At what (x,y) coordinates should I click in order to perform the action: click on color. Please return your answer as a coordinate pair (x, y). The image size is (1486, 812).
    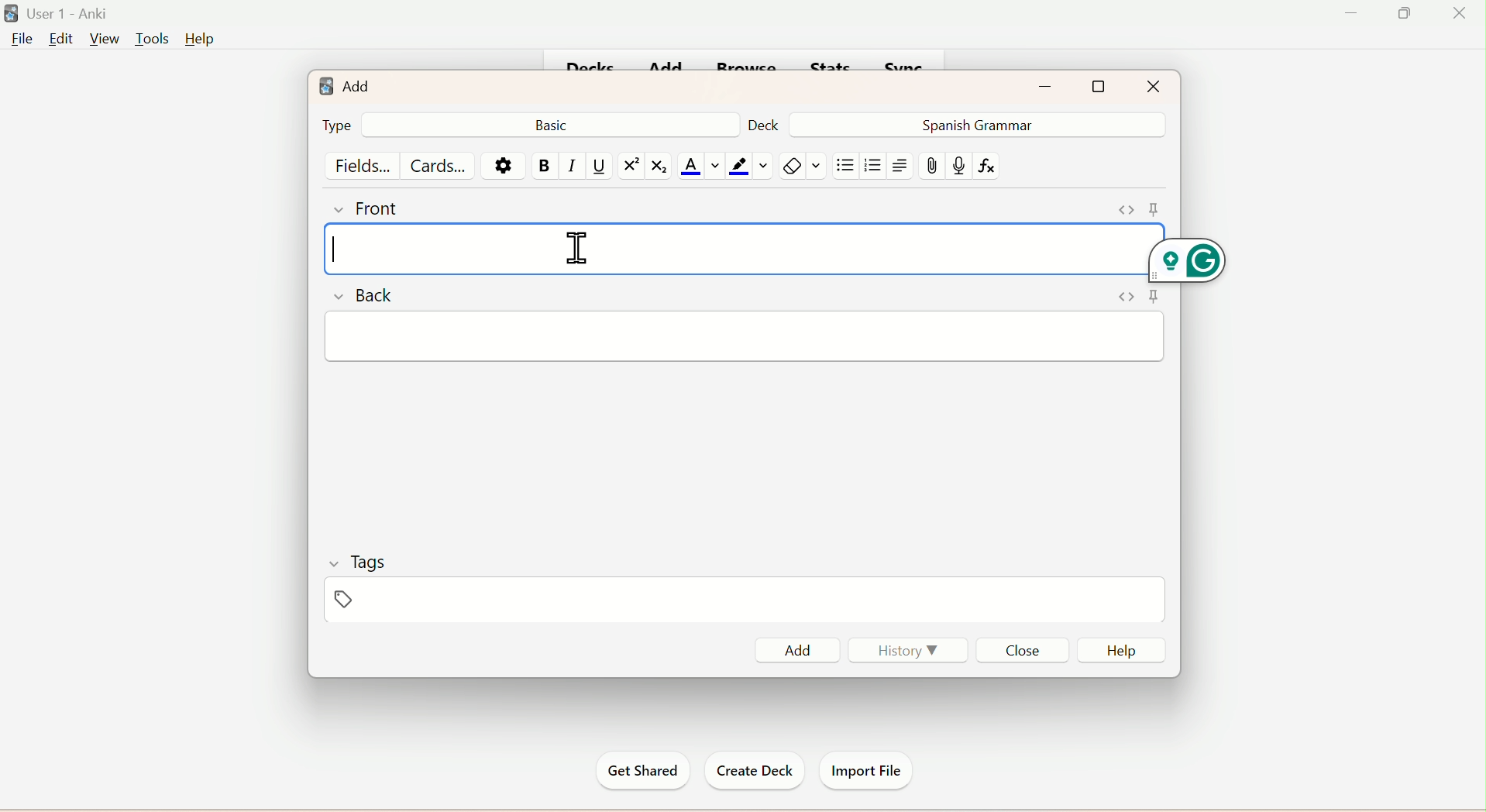
    Looking at the image, I should click on (747, 166).